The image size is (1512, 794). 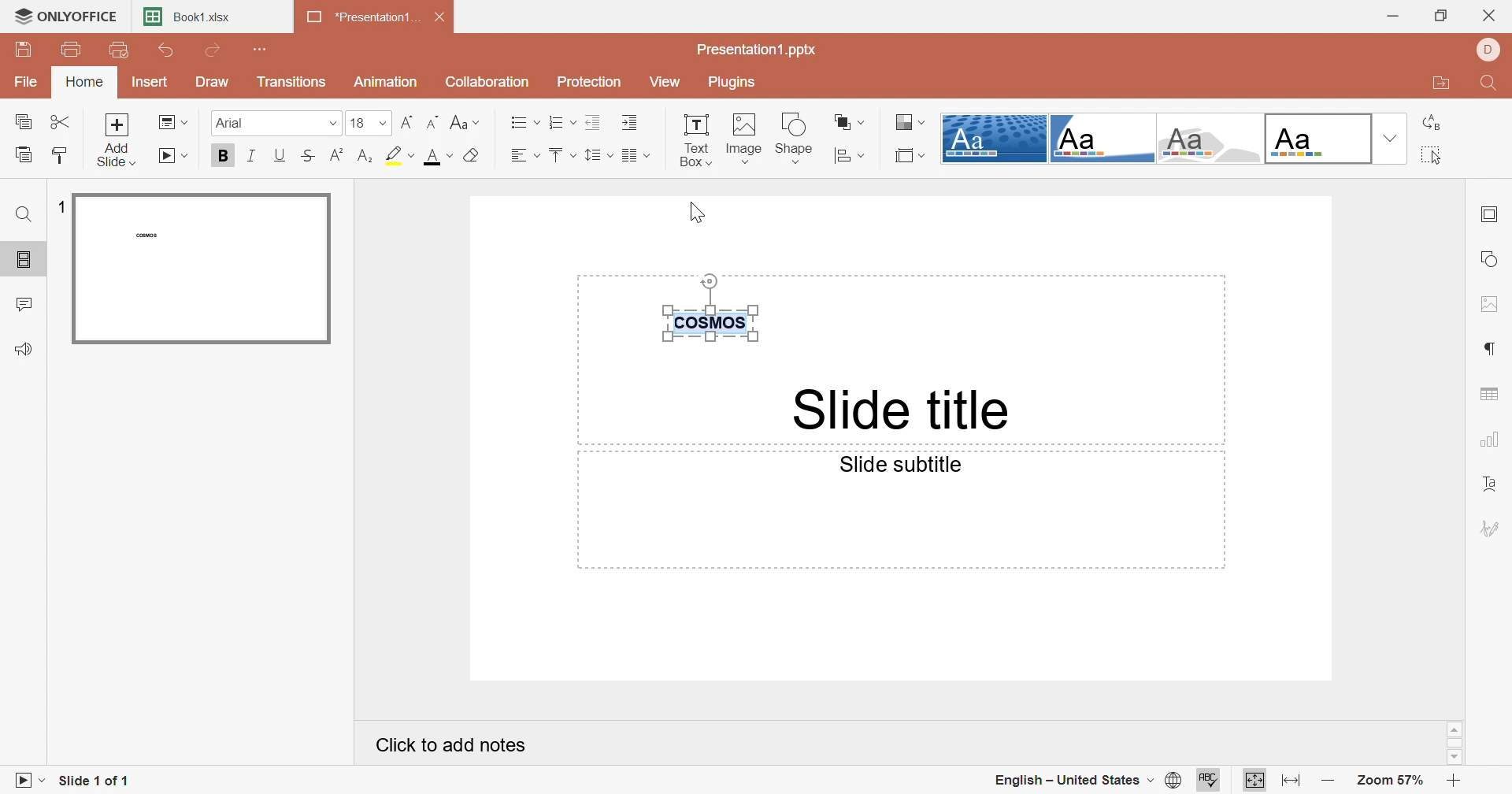 What do you see at coordinates (1488, 16) in the screenshot?
I see `Close` at bounding box center [1488, 16].